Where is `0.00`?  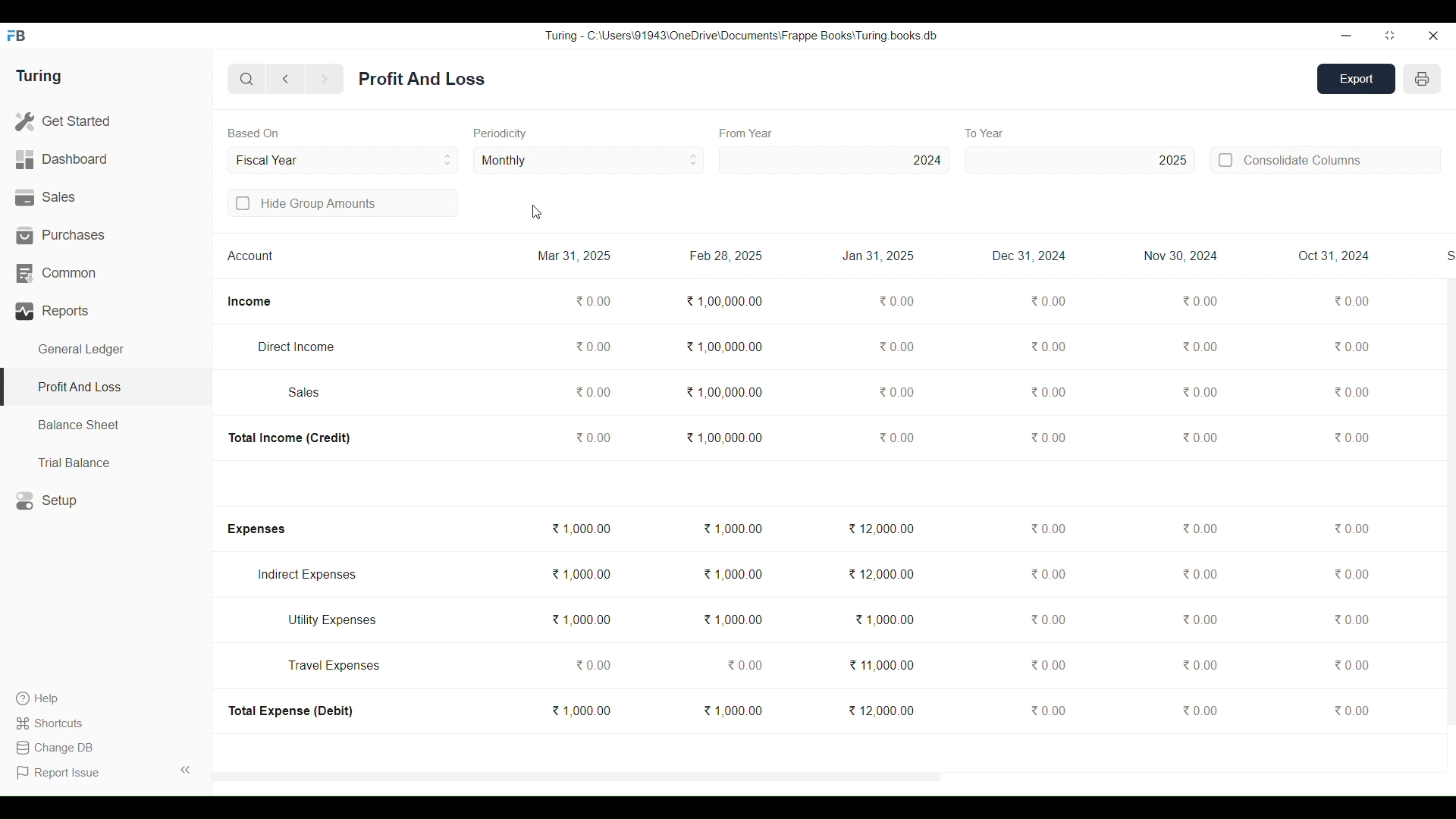 0.00 is located at coordinates (1200, 347).